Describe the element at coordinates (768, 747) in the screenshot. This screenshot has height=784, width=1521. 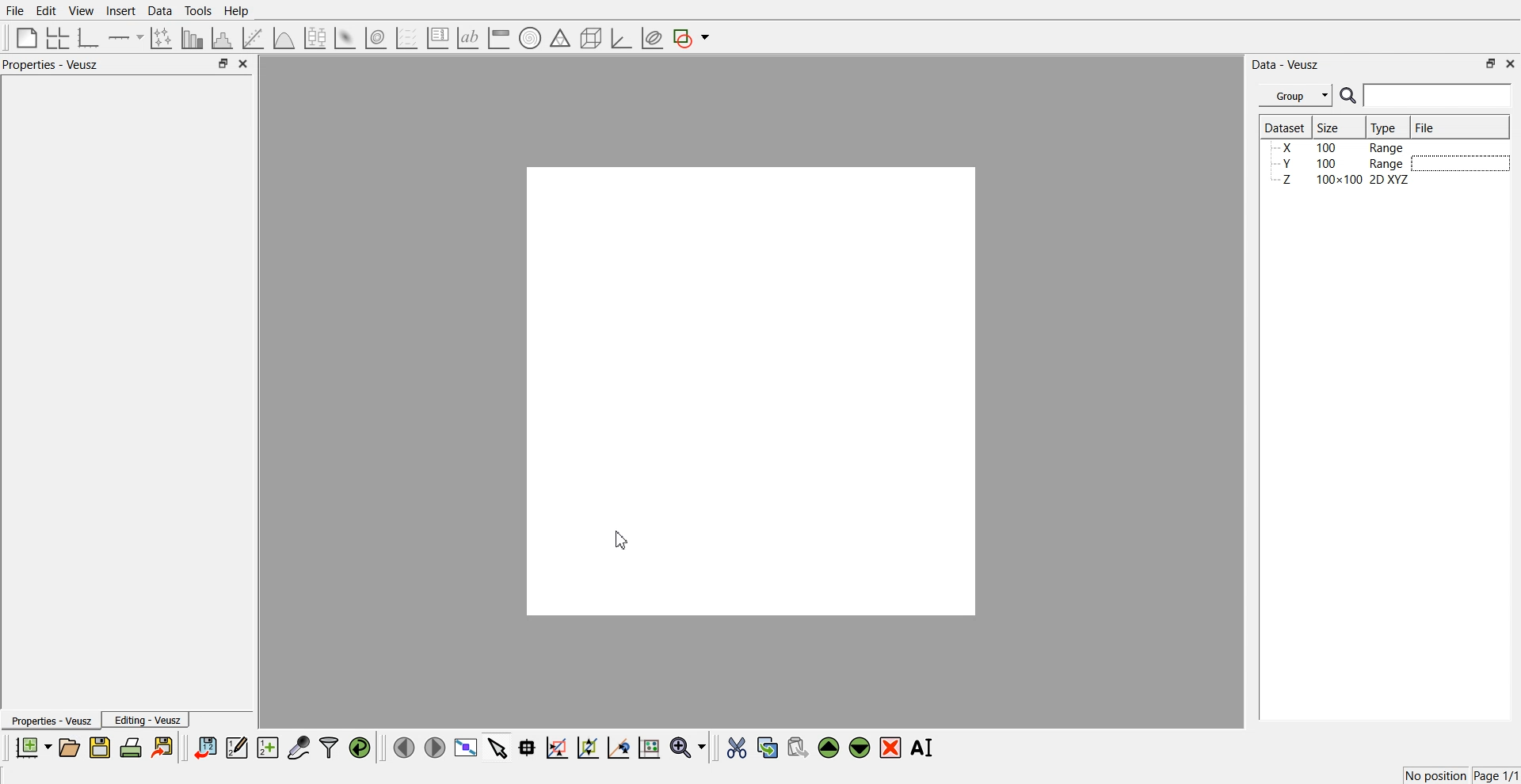
I see `Copy the selected widget` at that location.